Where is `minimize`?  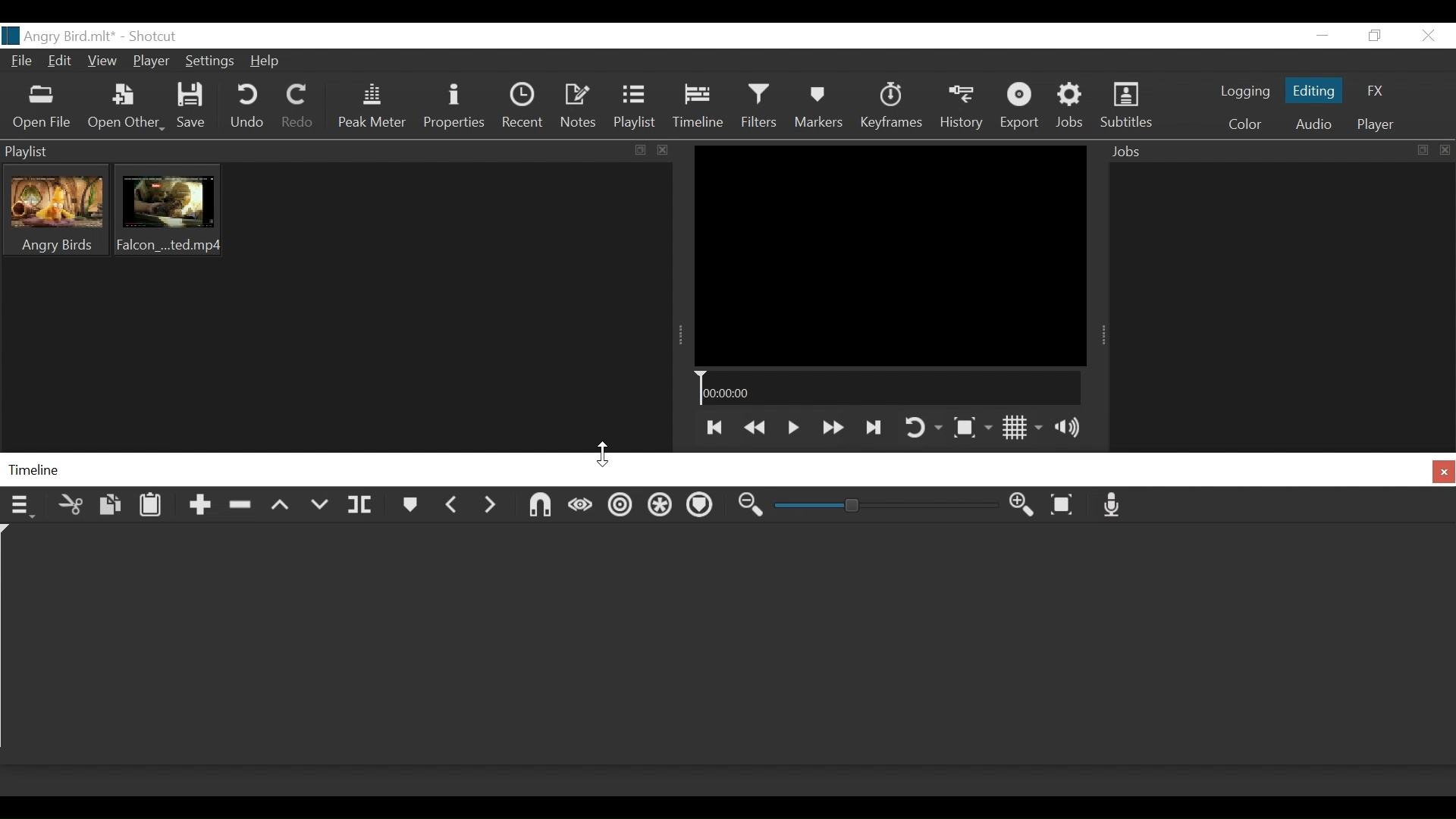
minimize is located at coordinates (1323, 36).